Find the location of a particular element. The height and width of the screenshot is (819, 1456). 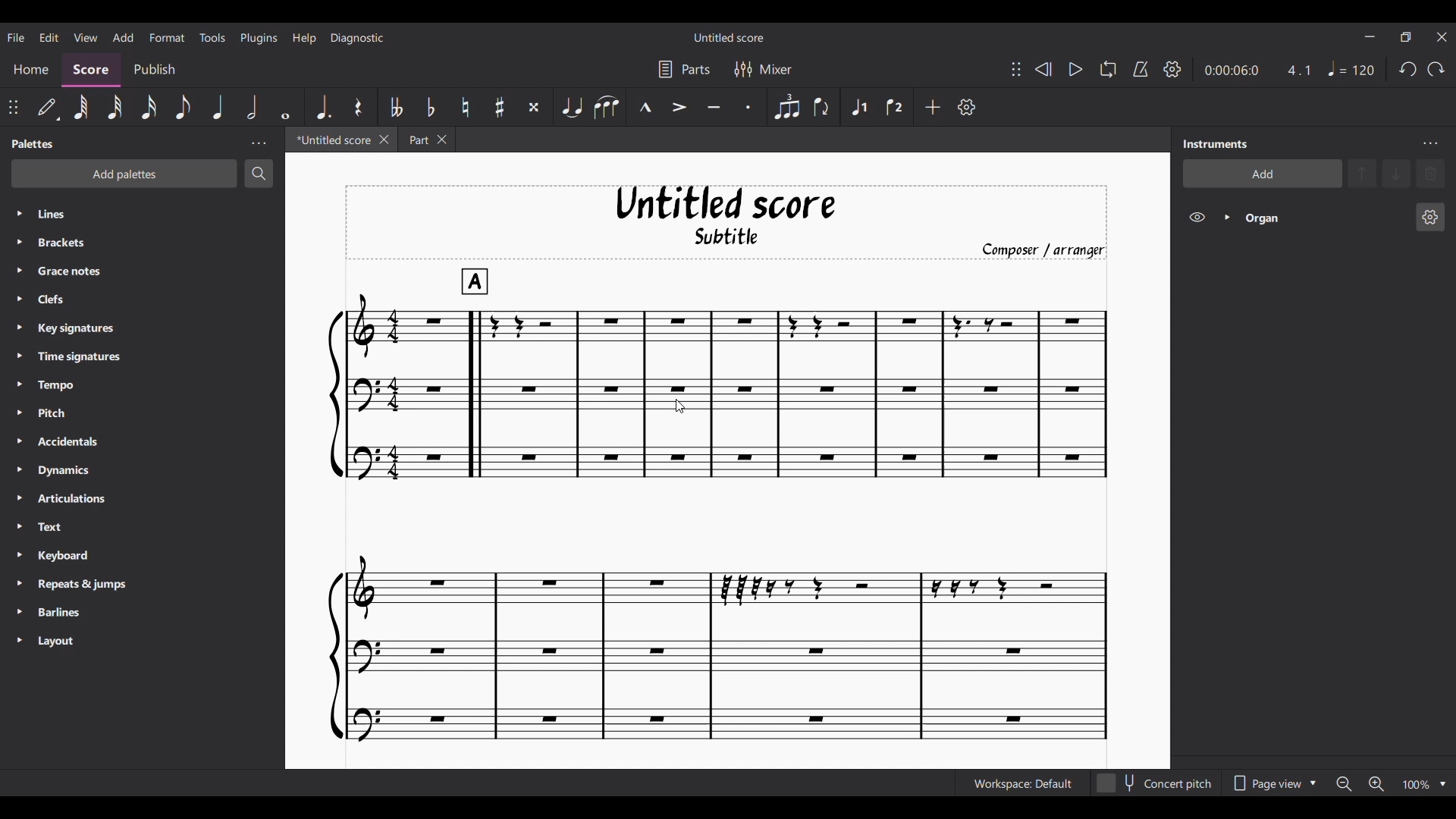

Looping playback is located at coordinates (1108, 69).